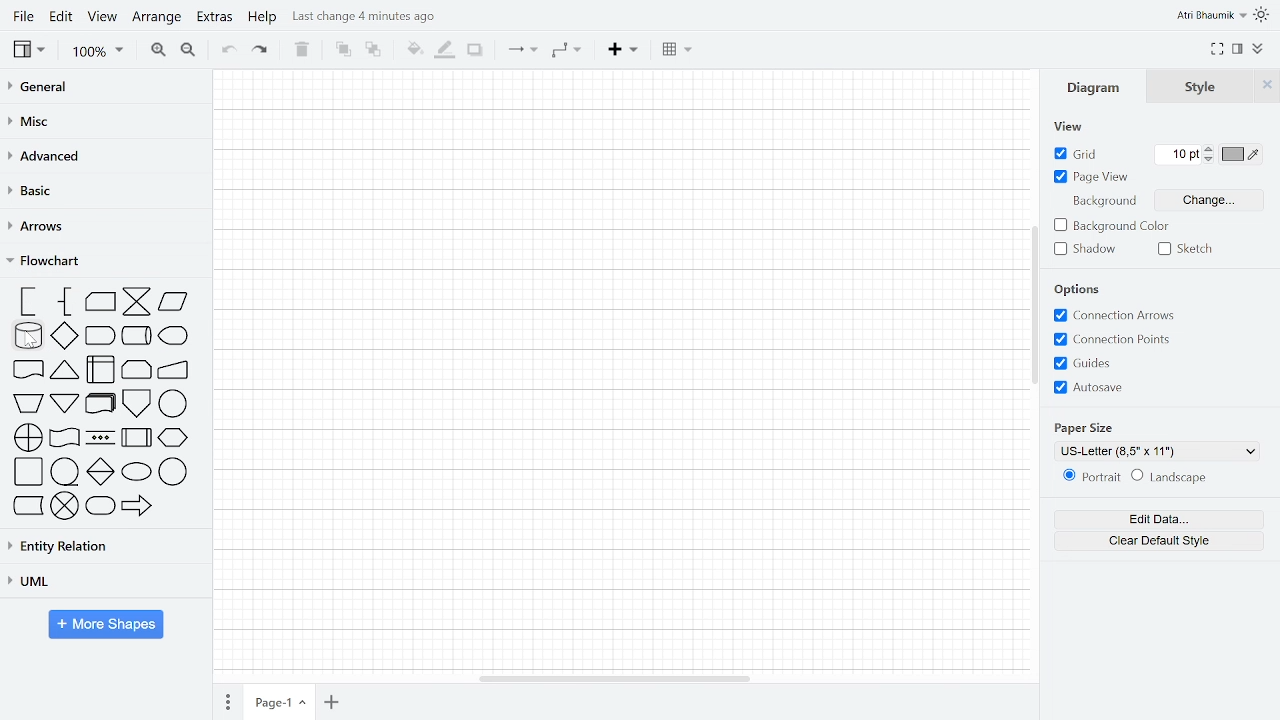  What do you see at coordinates (100, 370) in the screenshot?
I see `internal storage` at bounding box center [100, 370].